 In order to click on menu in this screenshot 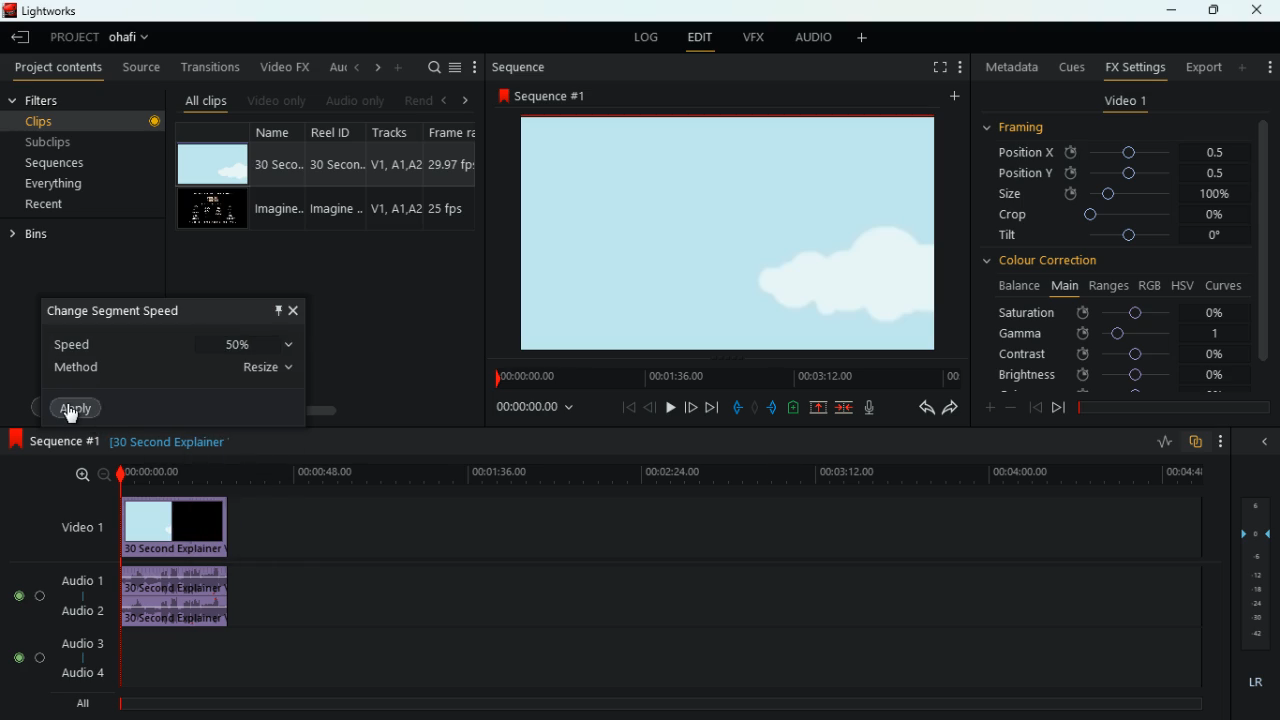, I will do `click(455, 67)`.